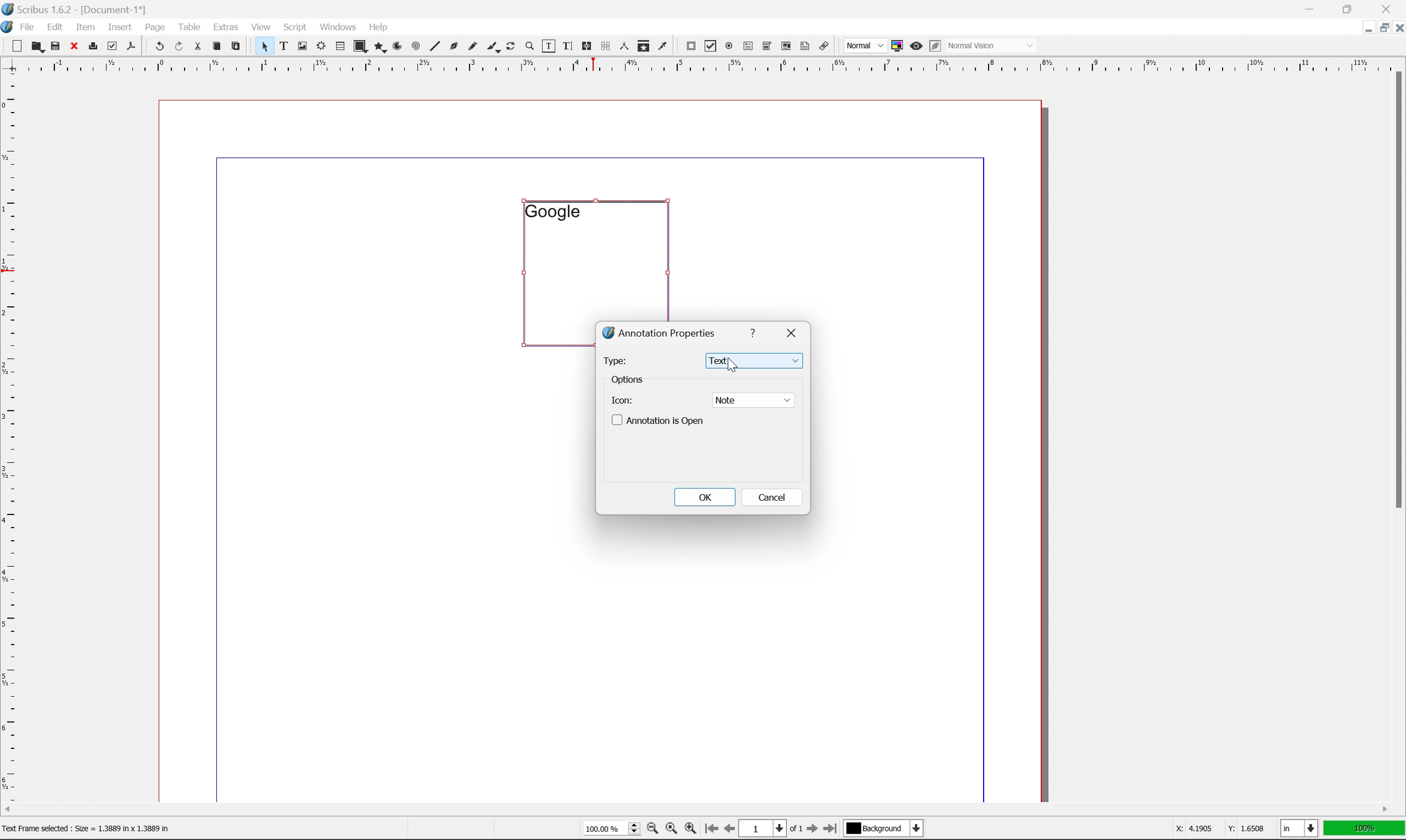 The image size is (1406, 840). I want to click on restore down, so click(1379, 28).